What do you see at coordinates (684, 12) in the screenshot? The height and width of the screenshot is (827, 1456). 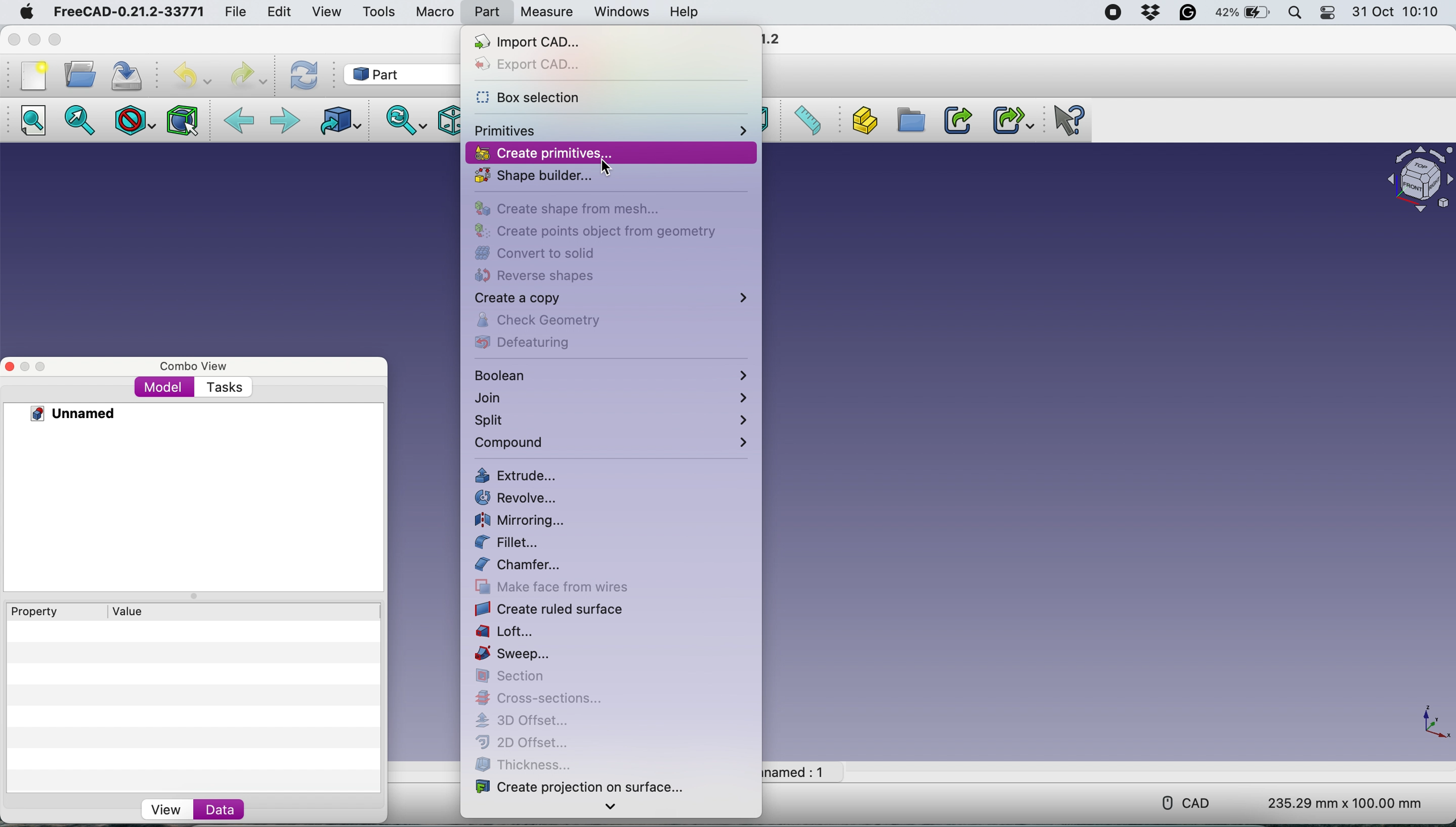 I see `Help` at bounding box center [684, 12].